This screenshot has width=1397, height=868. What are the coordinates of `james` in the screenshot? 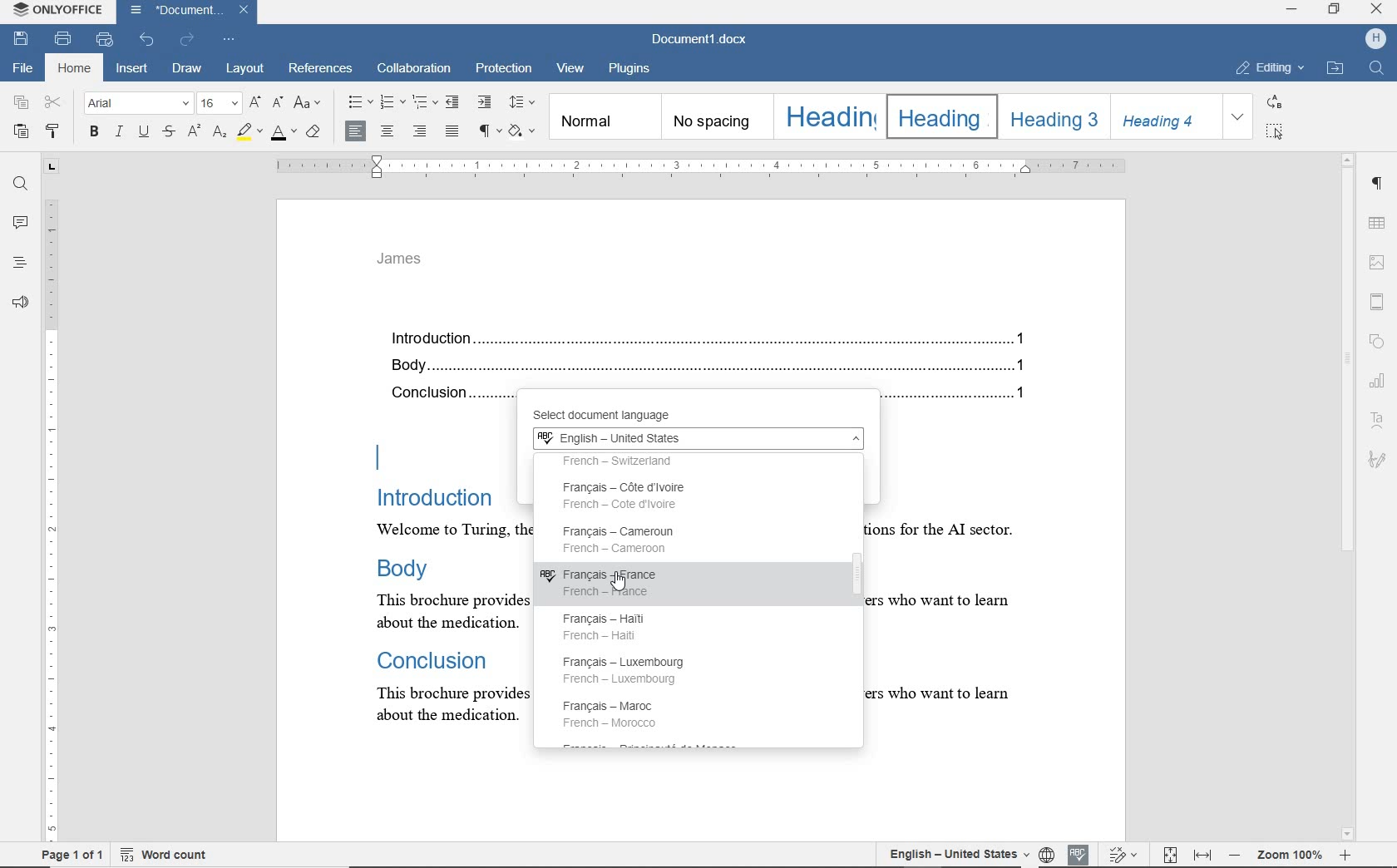 It's located at (400, 259).